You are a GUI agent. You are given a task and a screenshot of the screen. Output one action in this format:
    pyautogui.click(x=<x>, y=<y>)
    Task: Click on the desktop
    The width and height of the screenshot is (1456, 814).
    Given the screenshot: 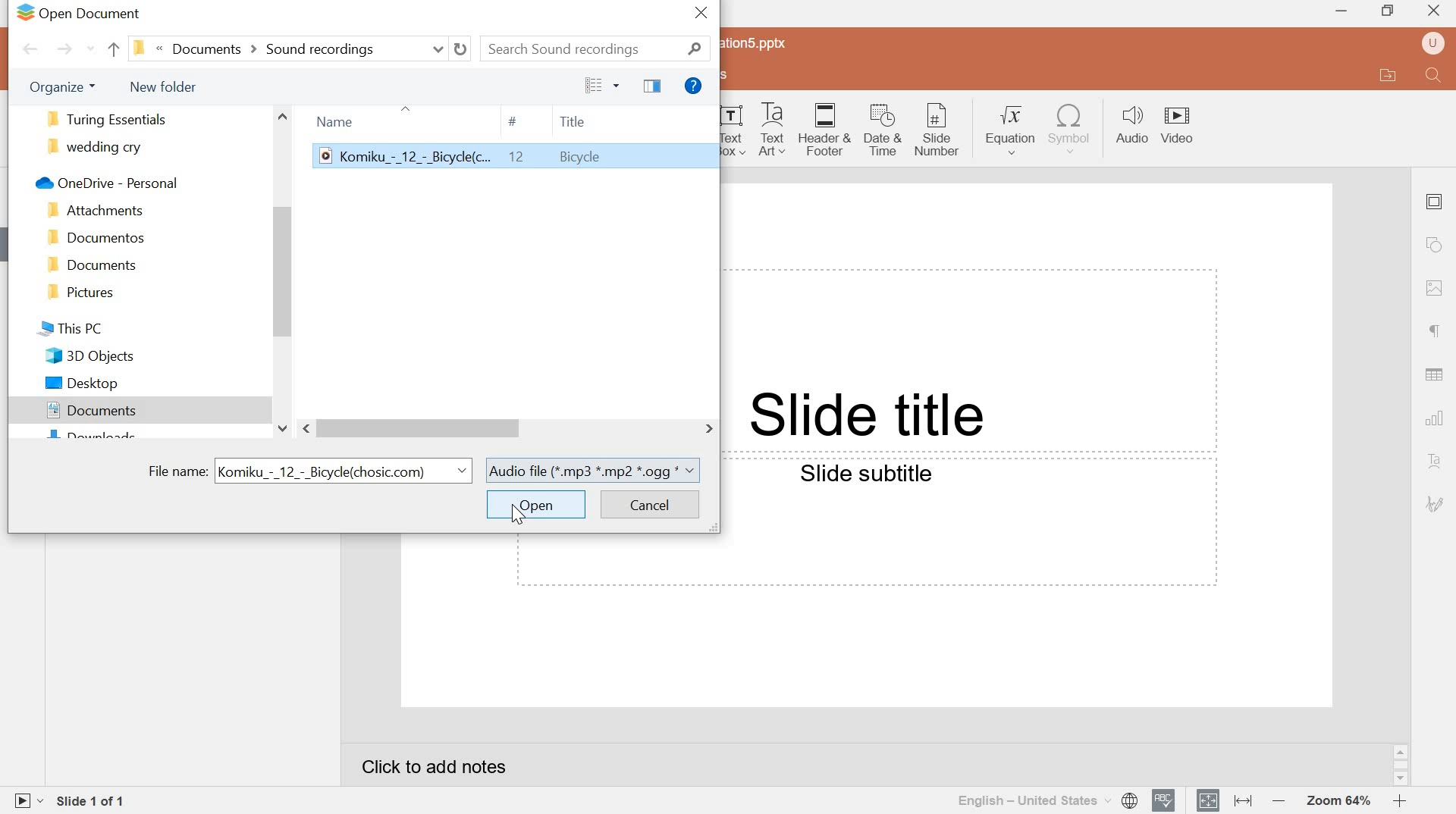 What is the action you would take?
    pyautogui.click(x=84, y=384)
    